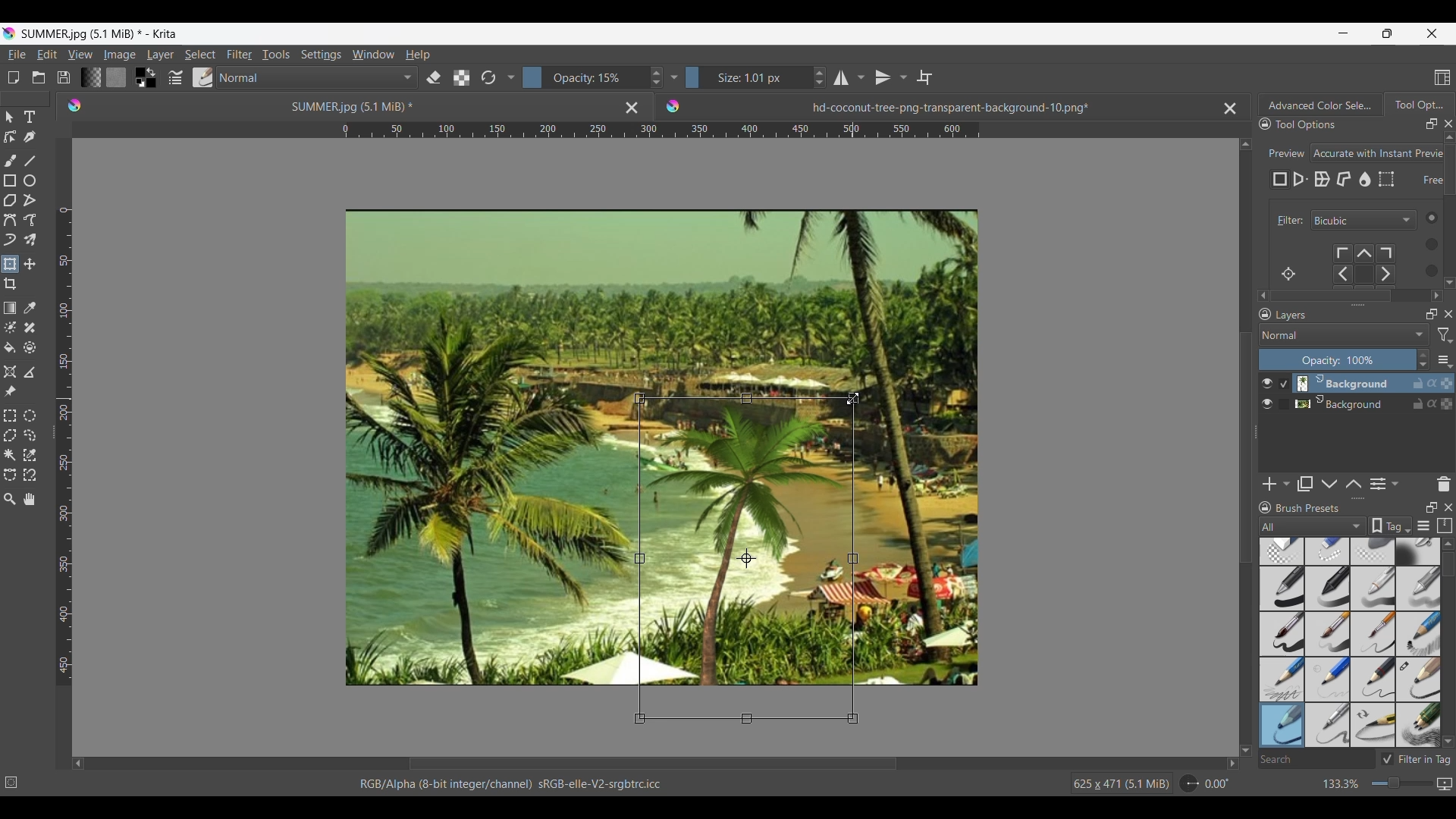  I want to click on SUMMERjpg(5.1 MiB)* - Lrita, so click(101, 33).